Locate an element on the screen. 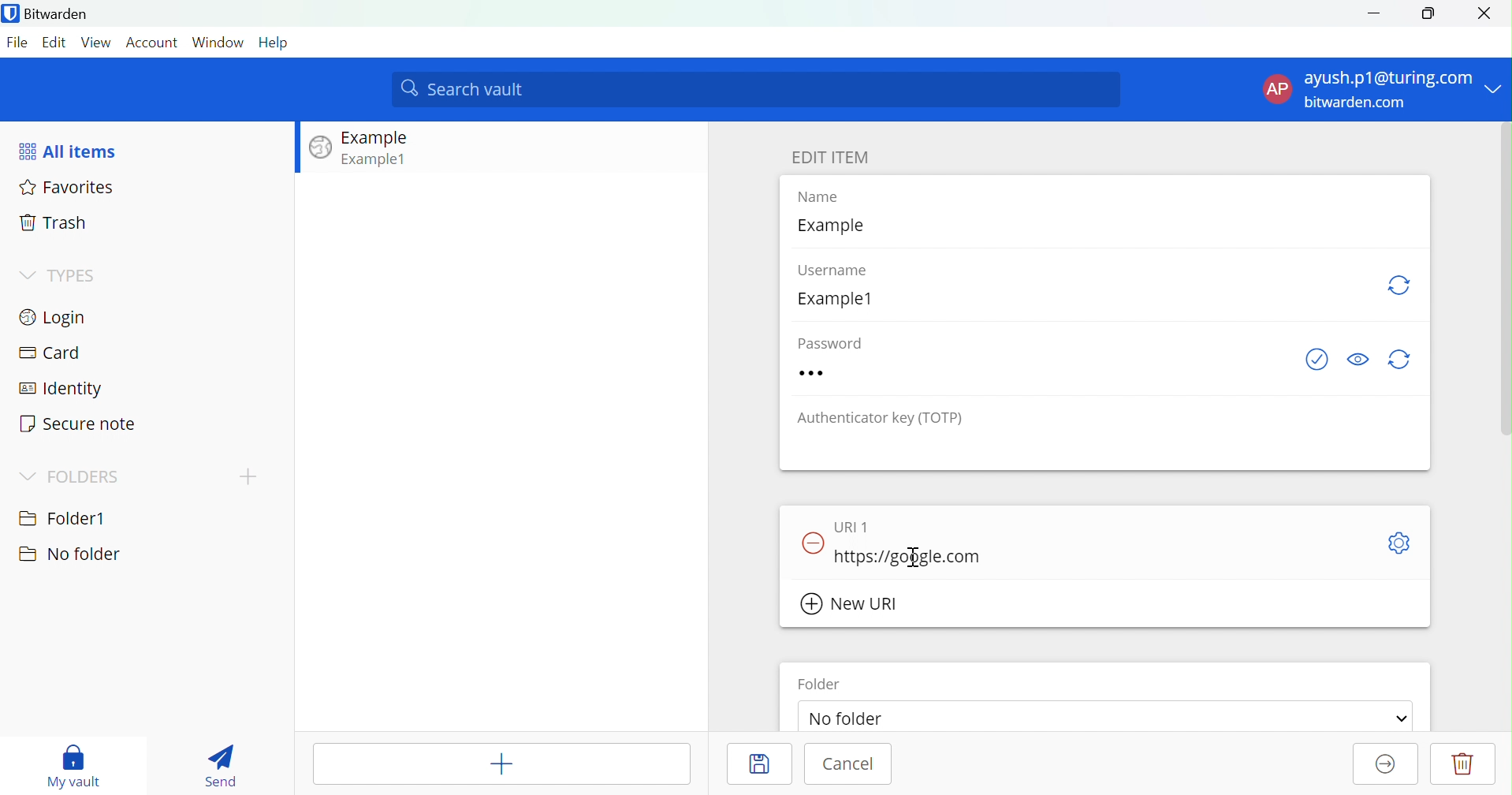 This screenshot has width=1512, height=795. Example1 is located at coordinates (376, 159).